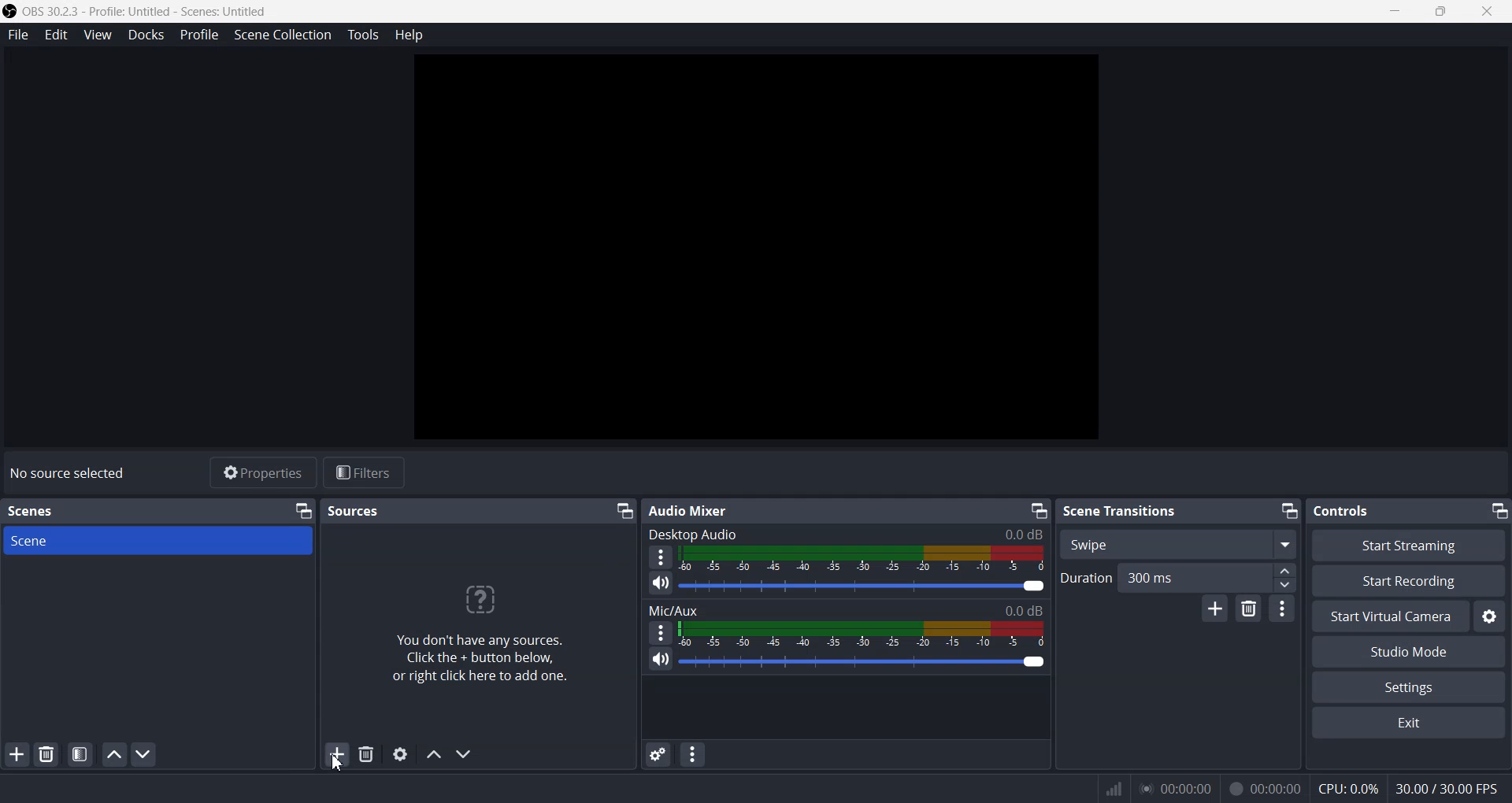 This screenshot has width=1512, height=803. Describe the element at coordinates (1410, 652) in the screenshot. I see `Studio Mode` at that location.